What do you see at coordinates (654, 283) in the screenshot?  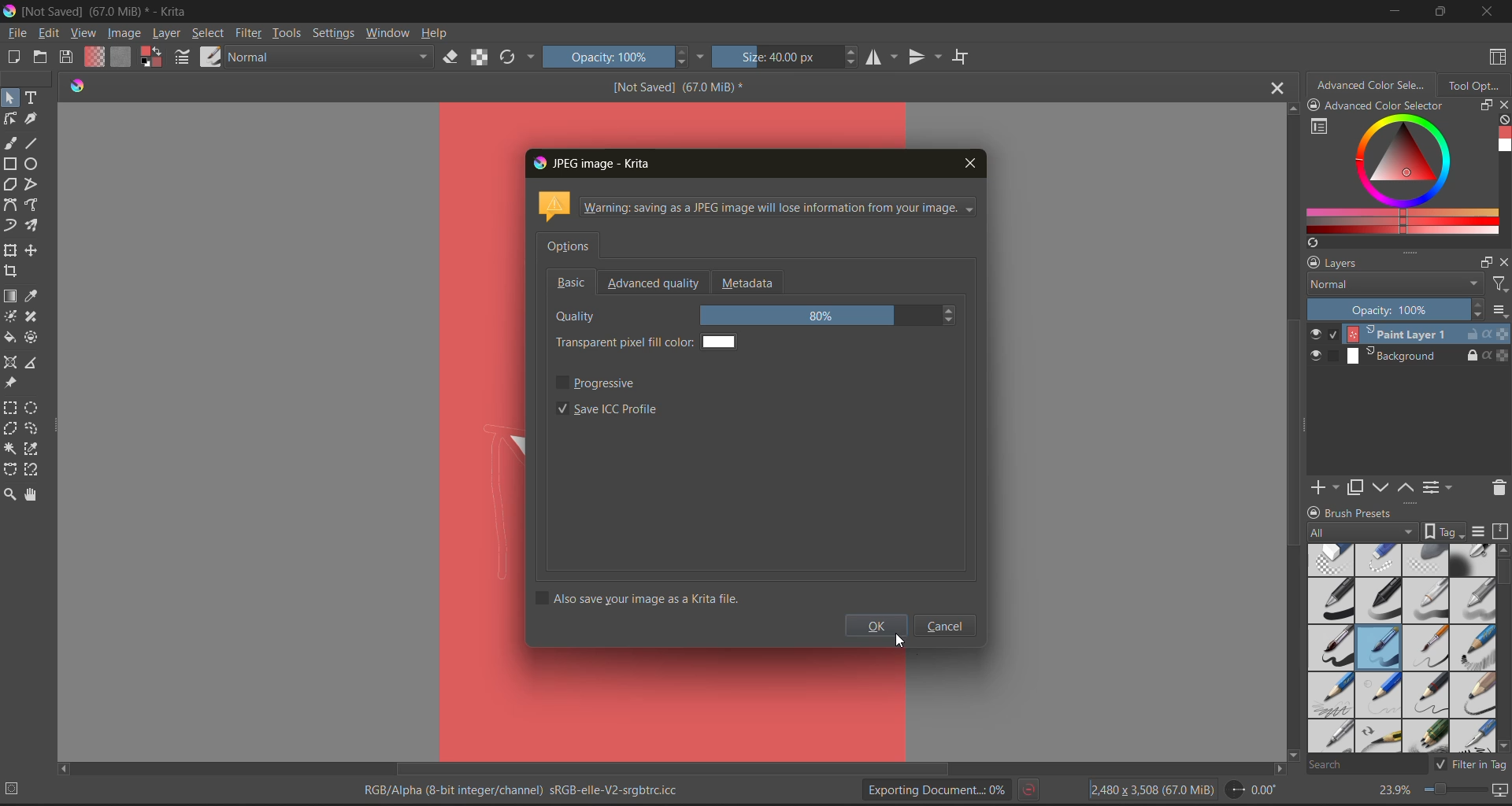 I see `advanced quality` at bounding box center [654, 283].